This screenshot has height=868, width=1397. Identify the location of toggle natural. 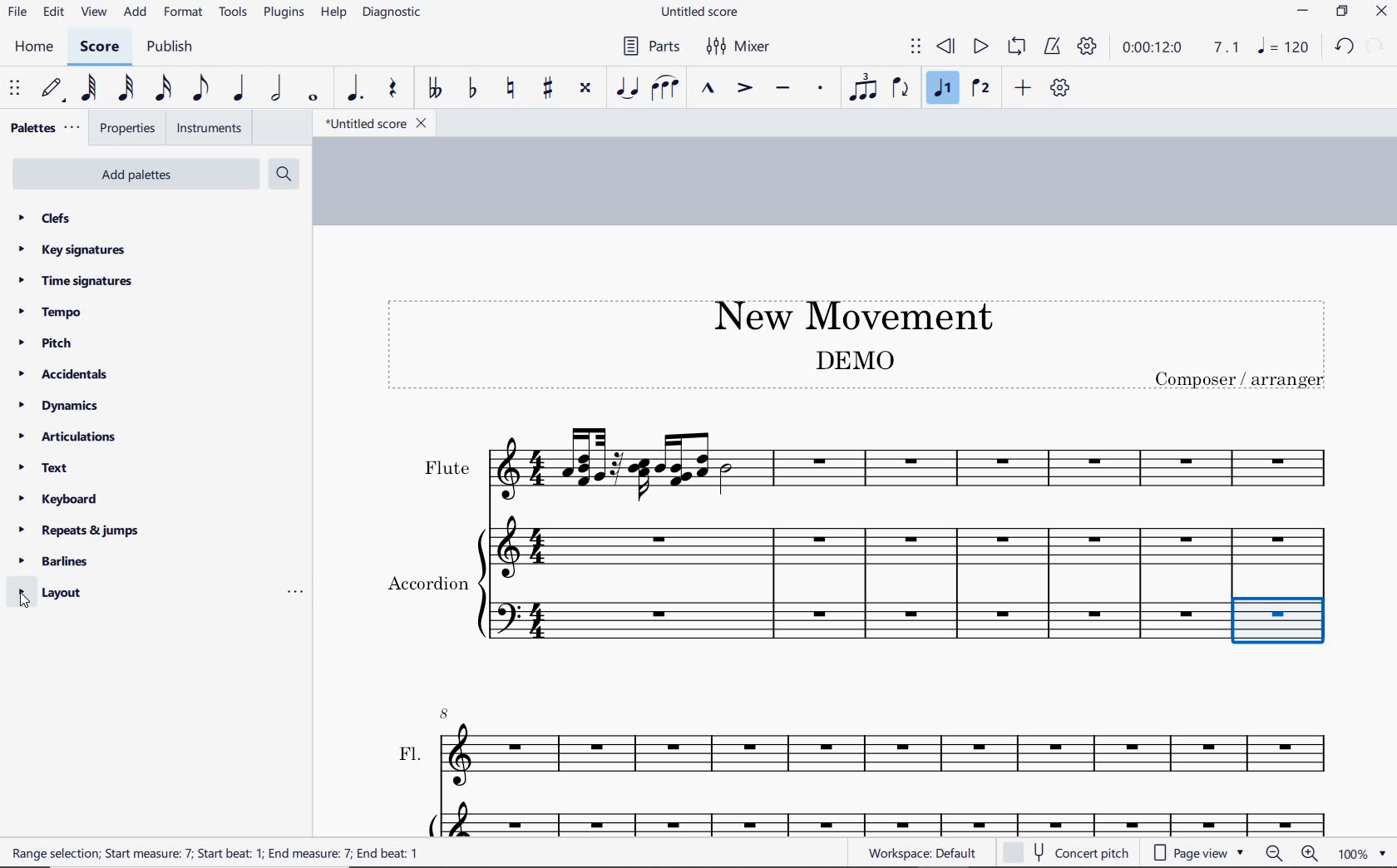
(512, 89).